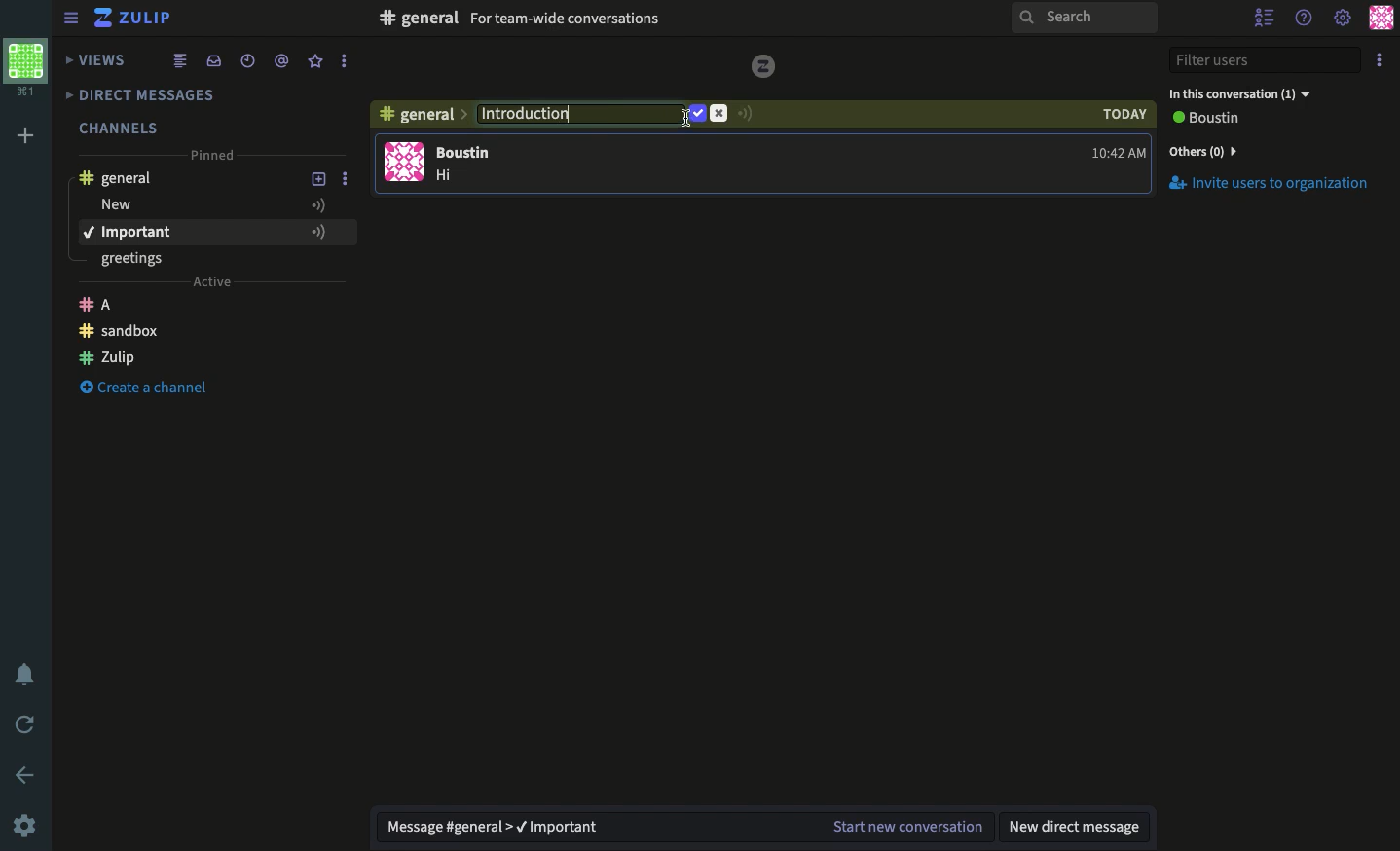 The image size is (1400, 851). I want to click on Settings, so click(27, 825).